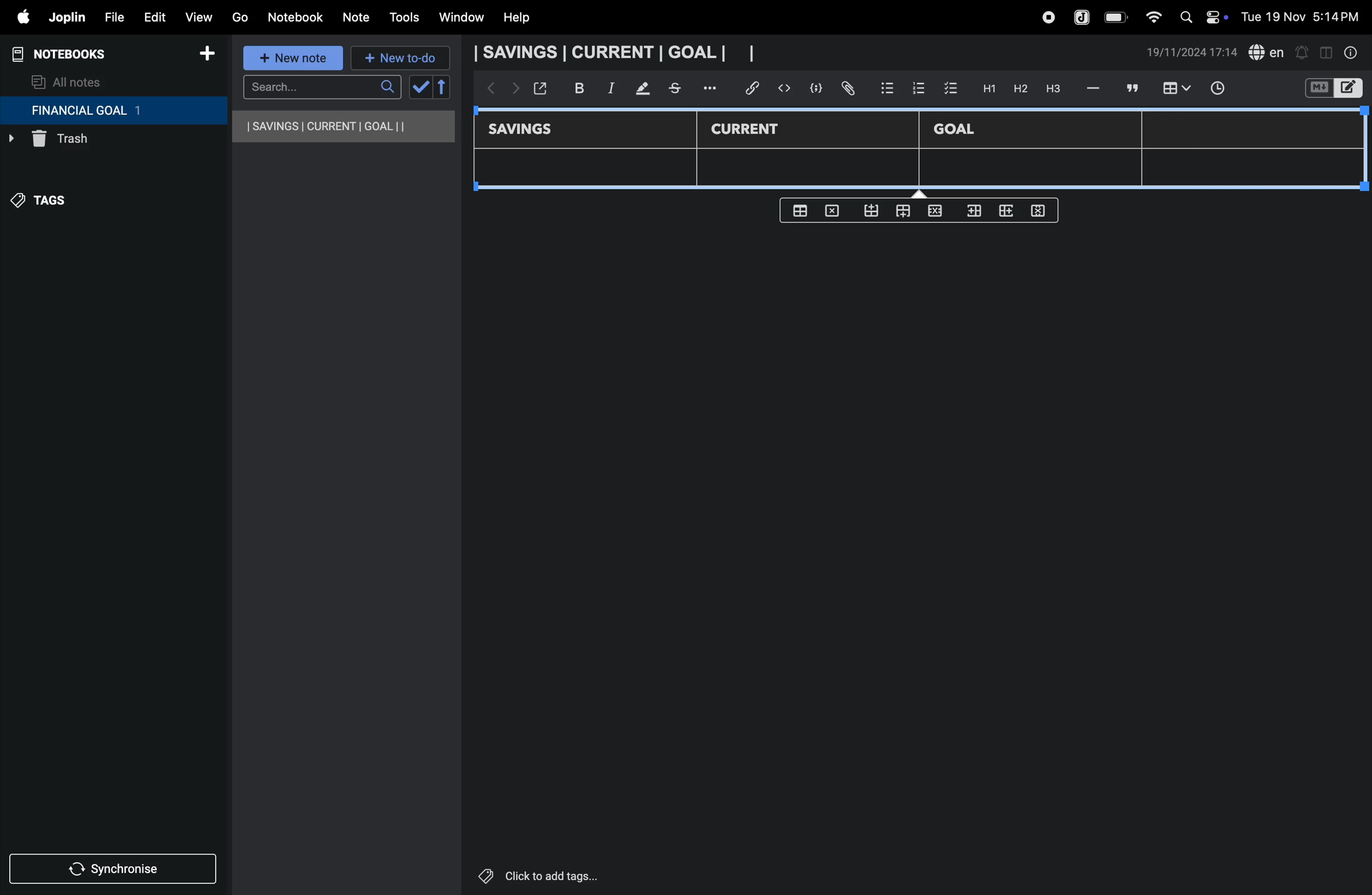 This screenshot has height=895, width=1372. What do you see at coordinates (113, 111) in the screenshot?
I see `financial goal` at bounding box center [113, 111].